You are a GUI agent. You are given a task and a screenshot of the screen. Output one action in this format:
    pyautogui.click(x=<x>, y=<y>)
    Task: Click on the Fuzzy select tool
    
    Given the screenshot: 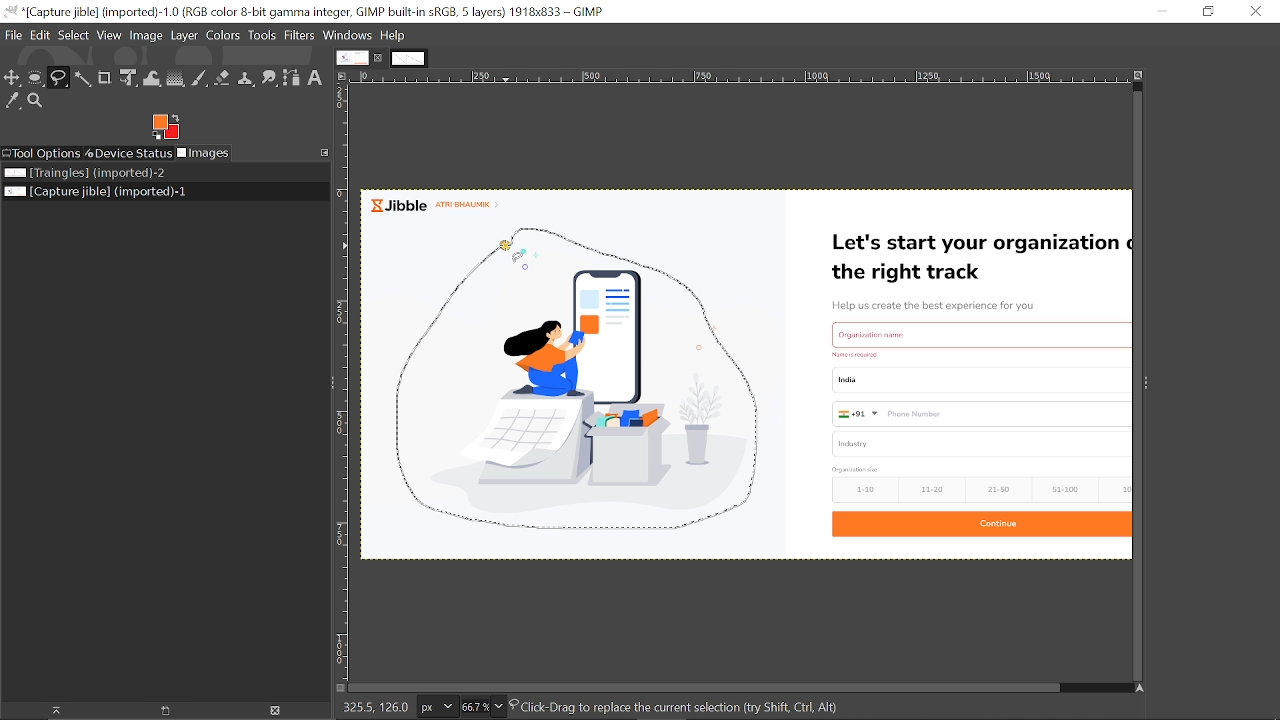 What is the action you would take?
    pyautogui.click(x=84, y=79)
    